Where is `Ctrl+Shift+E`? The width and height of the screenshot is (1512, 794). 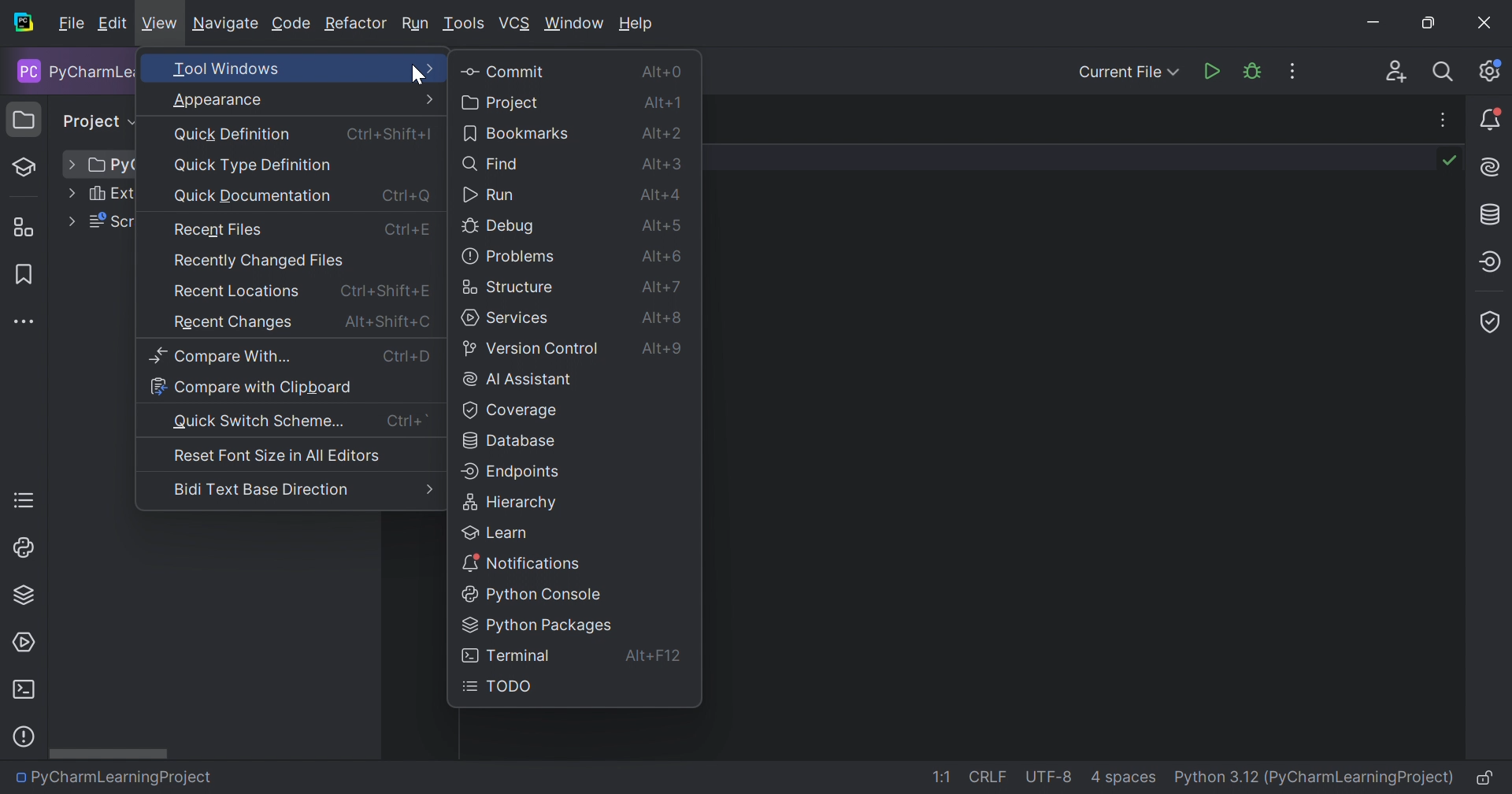 Ctrl+Shift+E is located at coordinates (385, 290).